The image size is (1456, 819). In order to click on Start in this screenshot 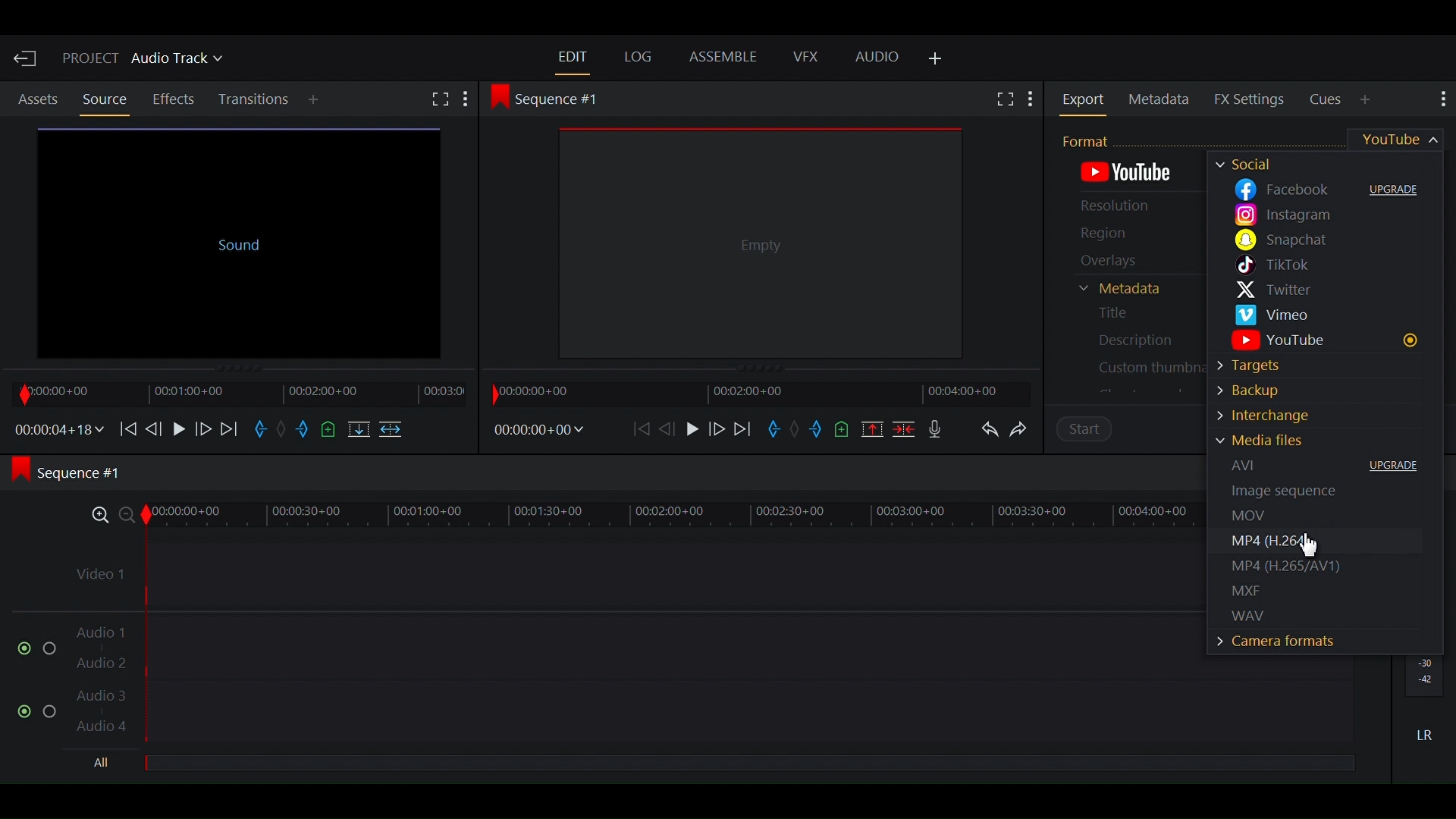, I will do `click(1083, 433)`.